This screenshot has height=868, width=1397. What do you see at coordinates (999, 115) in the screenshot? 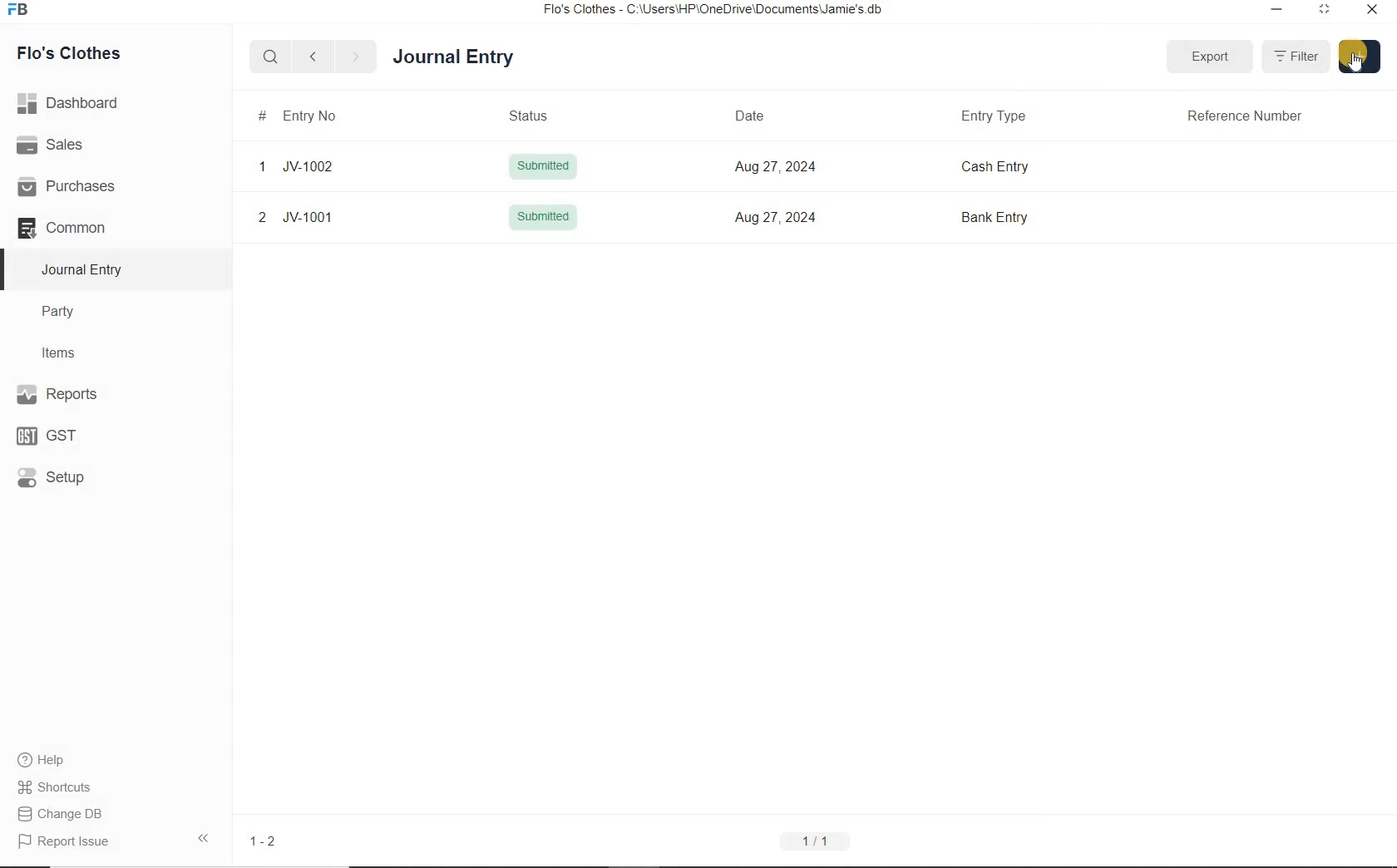
I see `Entry Type` at bounding box center [999, 115].